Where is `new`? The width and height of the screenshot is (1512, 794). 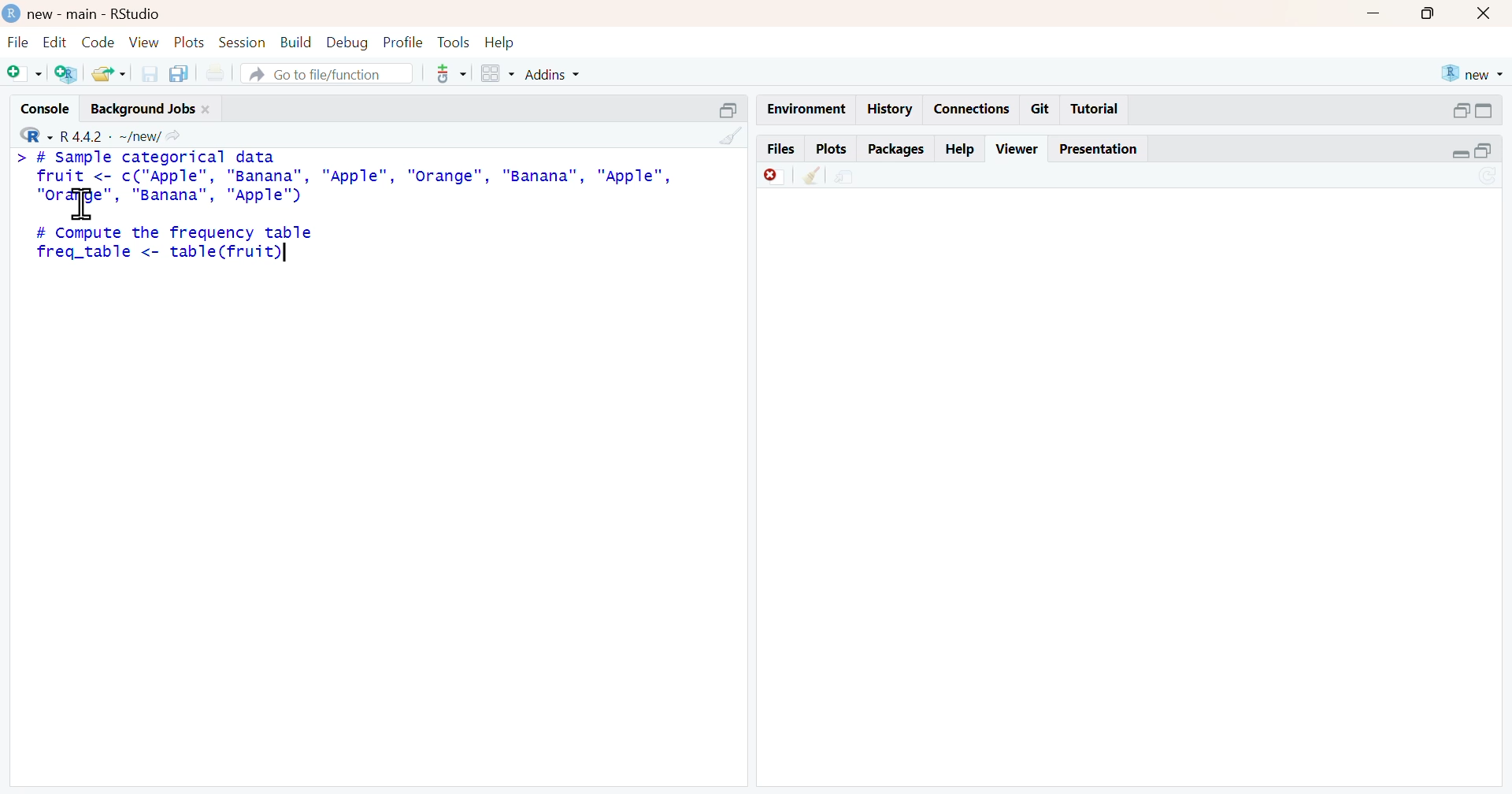
new is located at coordinates (1469, 74).